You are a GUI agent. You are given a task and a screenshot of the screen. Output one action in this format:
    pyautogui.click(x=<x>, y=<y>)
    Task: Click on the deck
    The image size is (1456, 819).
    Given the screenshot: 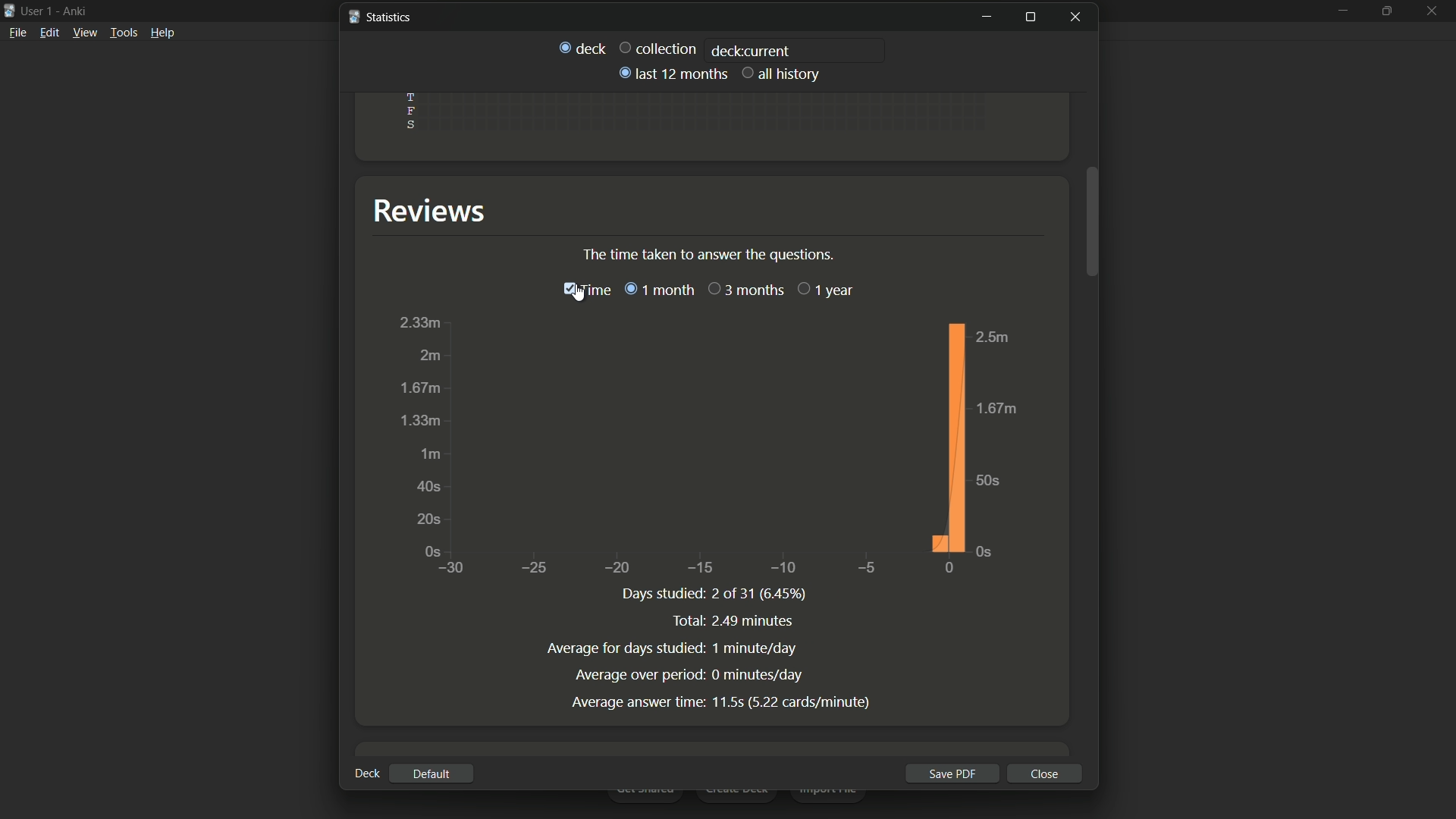 What is the action you would take?
    pyautogui.click(x=582, y=46)
    